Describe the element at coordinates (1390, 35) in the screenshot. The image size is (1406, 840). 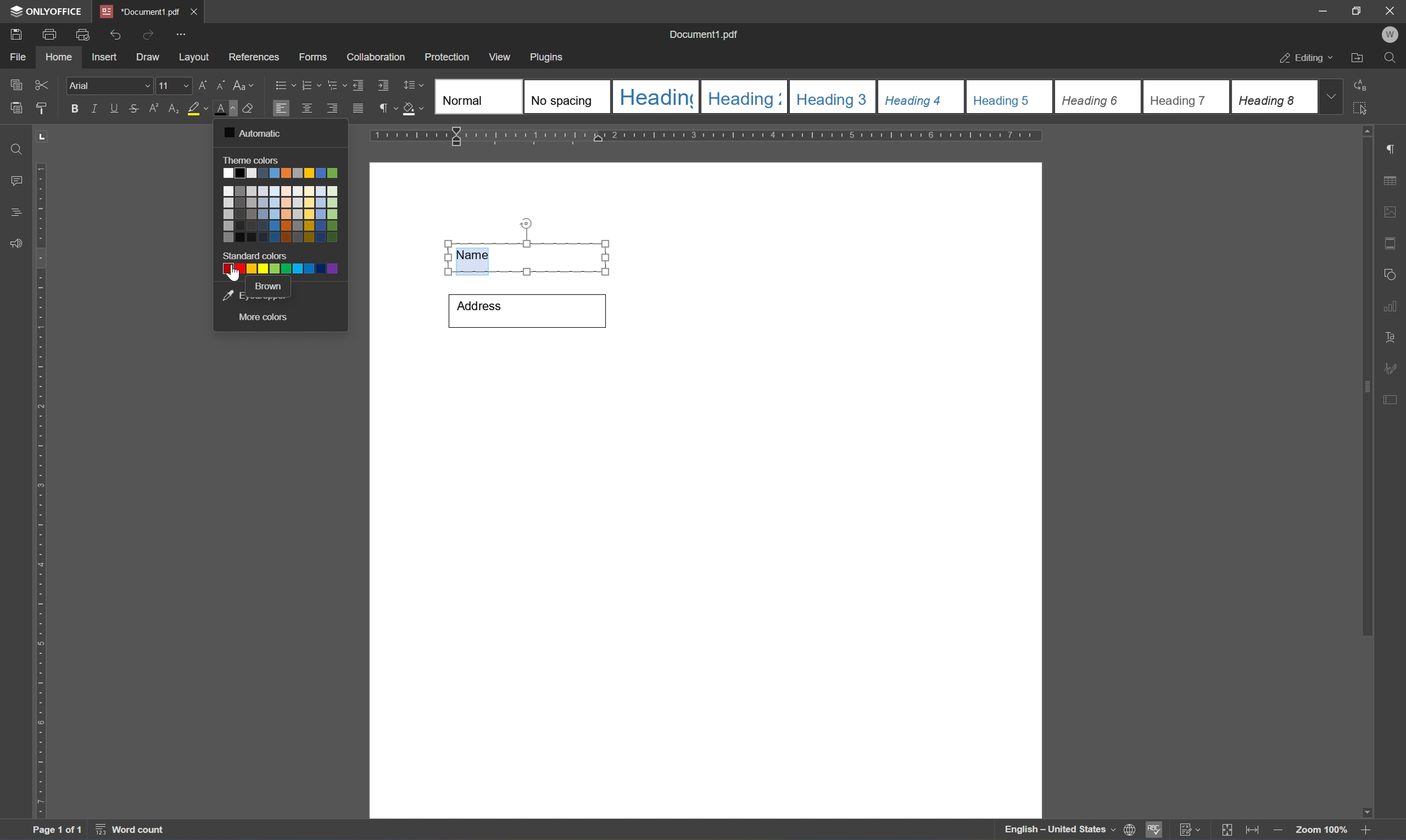
I see `welcome` at that location.